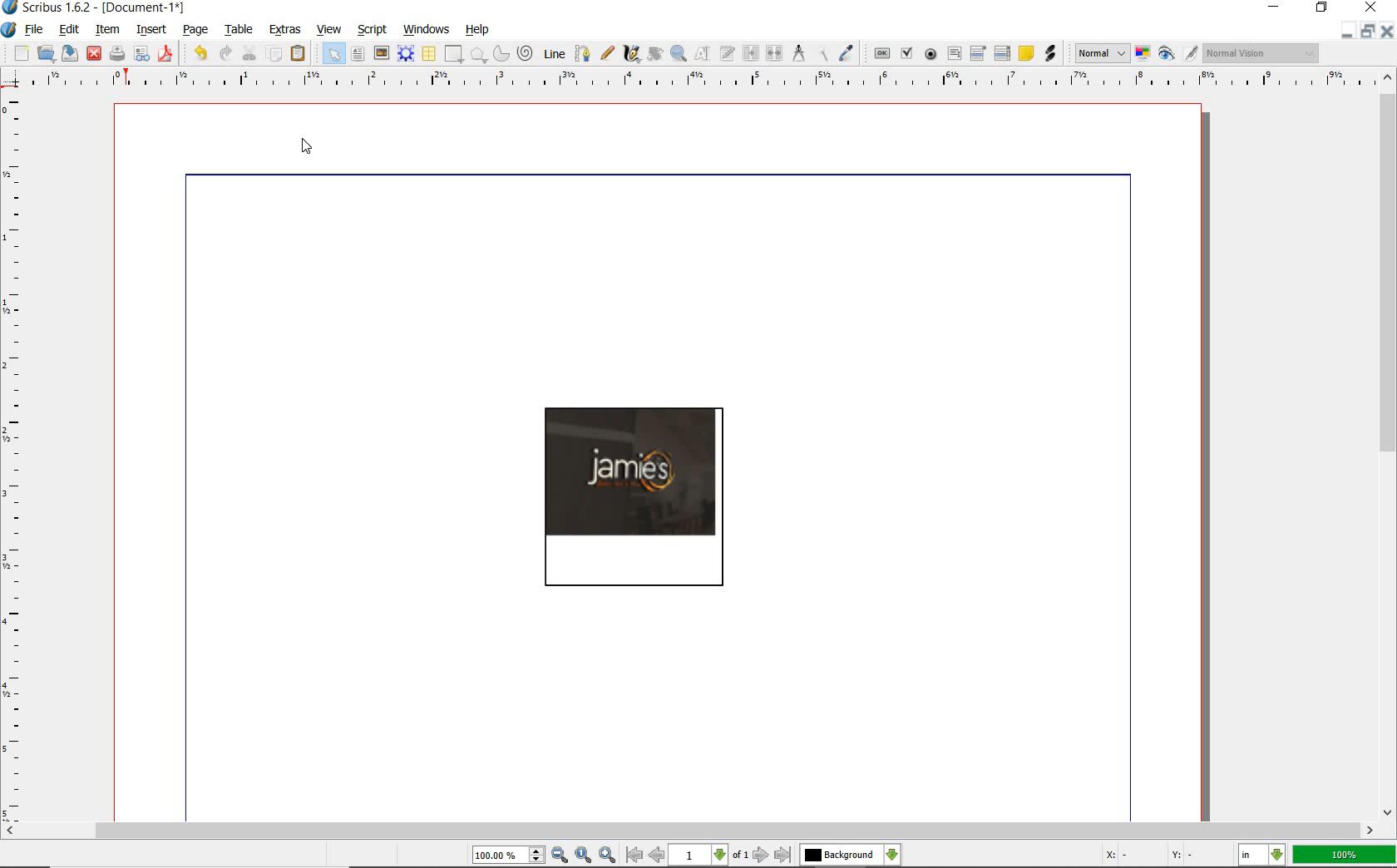  I want to click on table, so click(240, 31).